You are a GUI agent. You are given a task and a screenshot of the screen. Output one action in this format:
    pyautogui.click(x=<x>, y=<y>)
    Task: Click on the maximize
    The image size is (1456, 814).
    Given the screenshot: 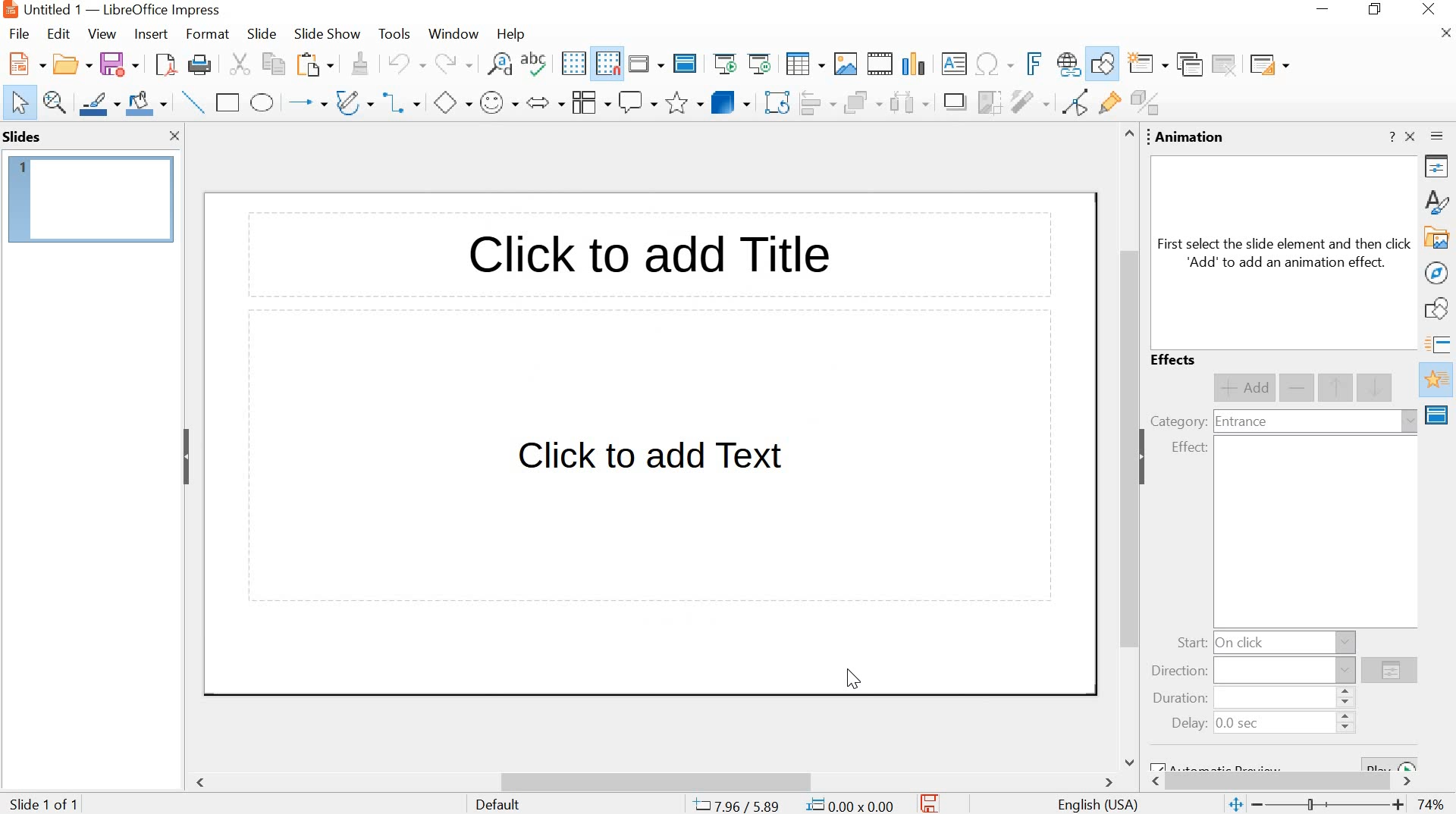 What is the action you would take?
    pyautogui.click(x=1378, y=11)
    